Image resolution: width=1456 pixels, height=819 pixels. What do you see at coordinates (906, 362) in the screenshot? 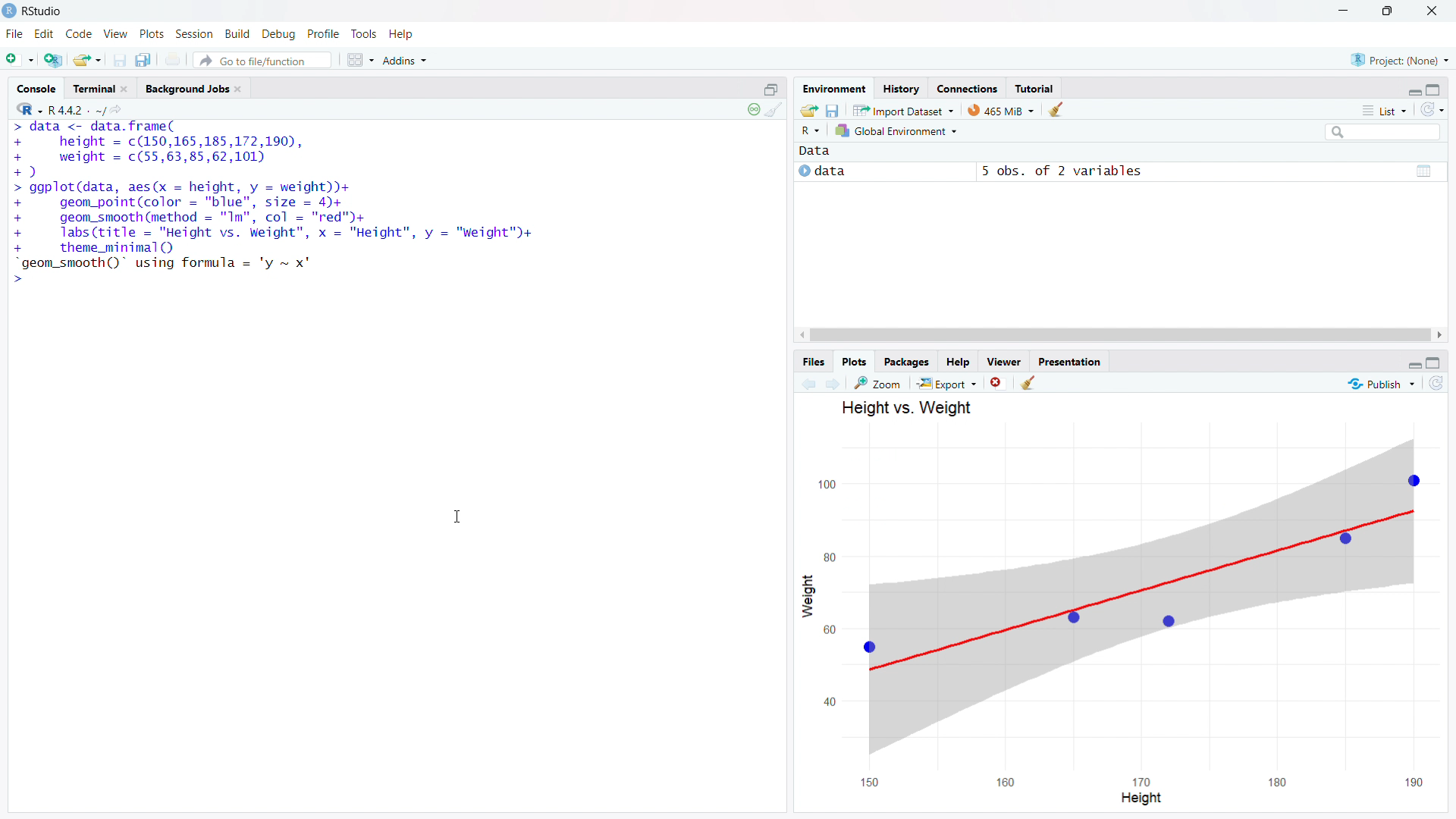
I see `package` at bounding box center [906, 362].